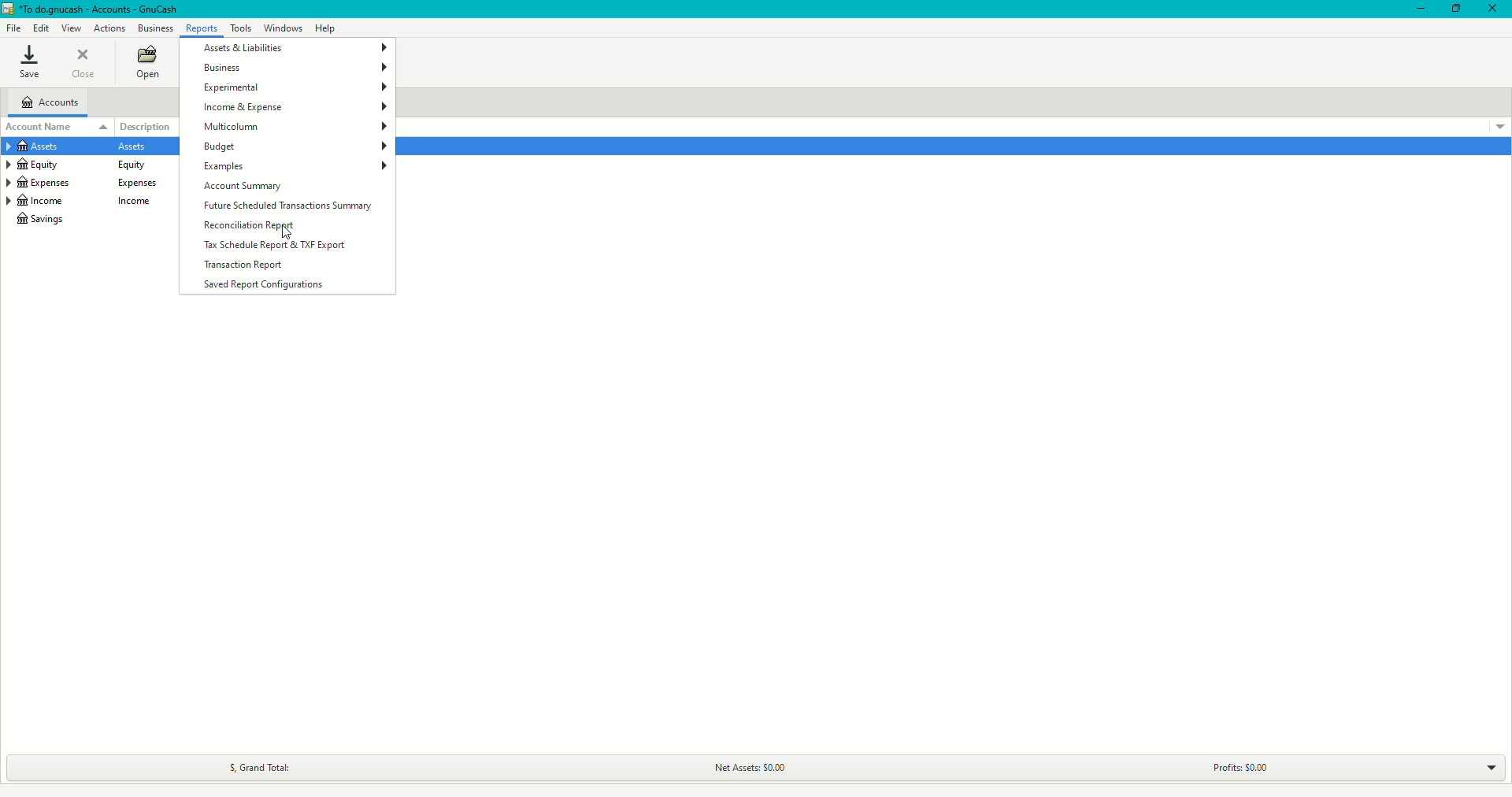  What do you see at coordinates (292, 89) in the screenshot?
I see `Experimental` at bounding box center [292, 89].